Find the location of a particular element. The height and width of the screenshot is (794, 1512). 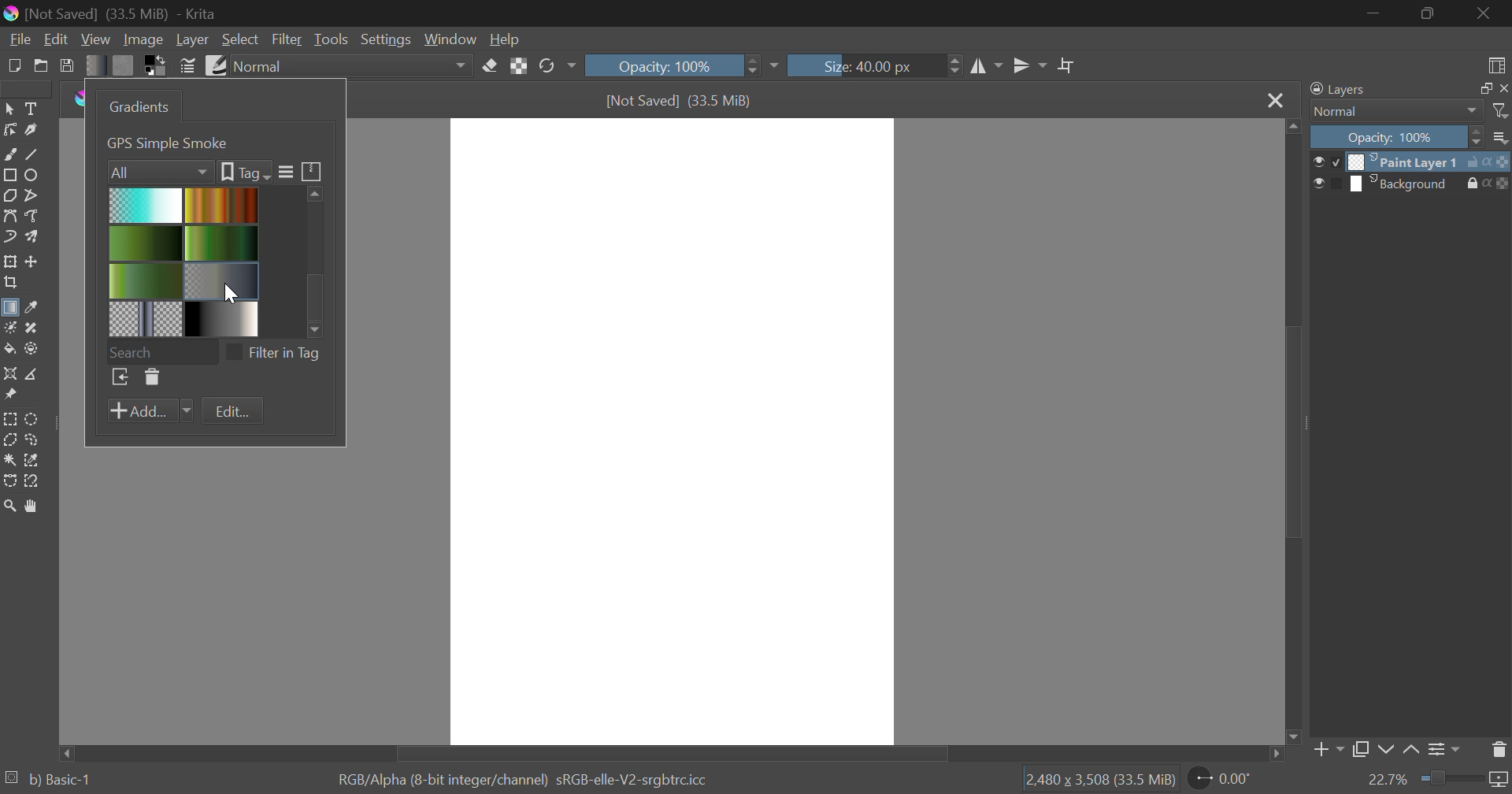

full screen is located at coordinates (1481, 89).